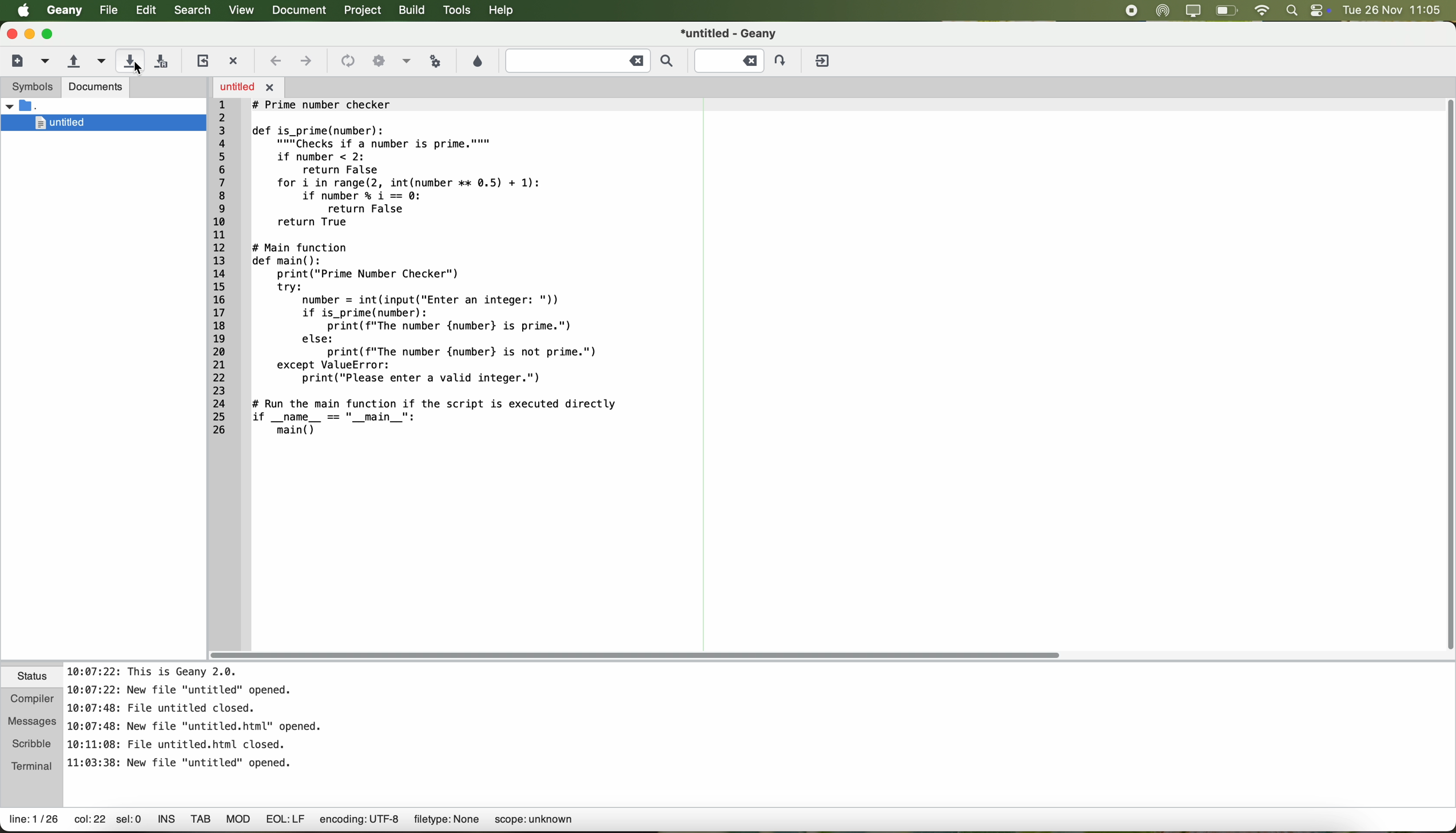 The height and width of the screenshot is (833, 1456). I want to click on airdrop, so click(1163, 11).